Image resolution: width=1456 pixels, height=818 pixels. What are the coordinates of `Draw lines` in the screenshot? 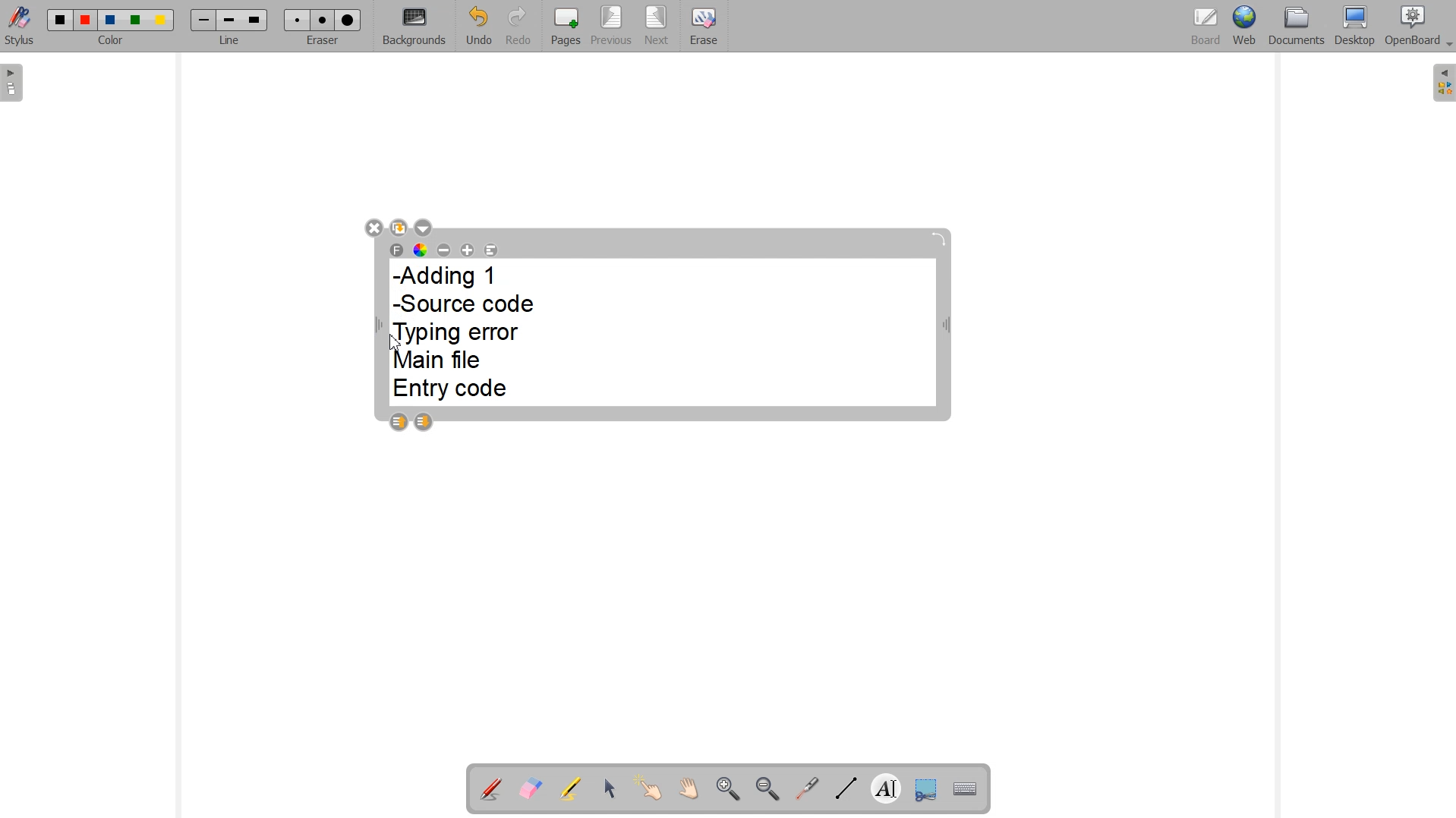 It's located at (844, 788).